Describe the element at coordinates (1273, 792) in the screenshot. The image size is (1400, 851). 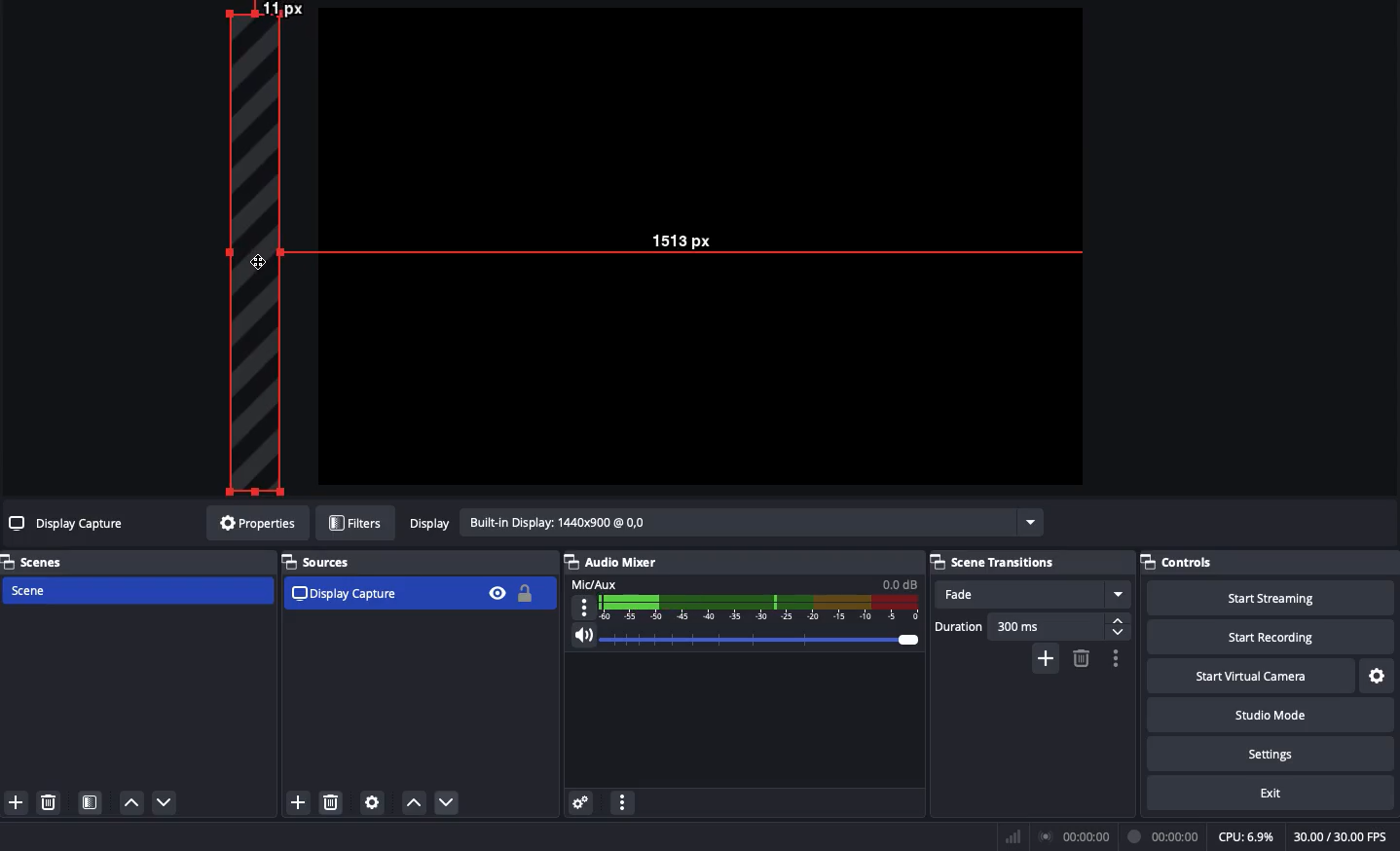
I see `Exit` at that location.